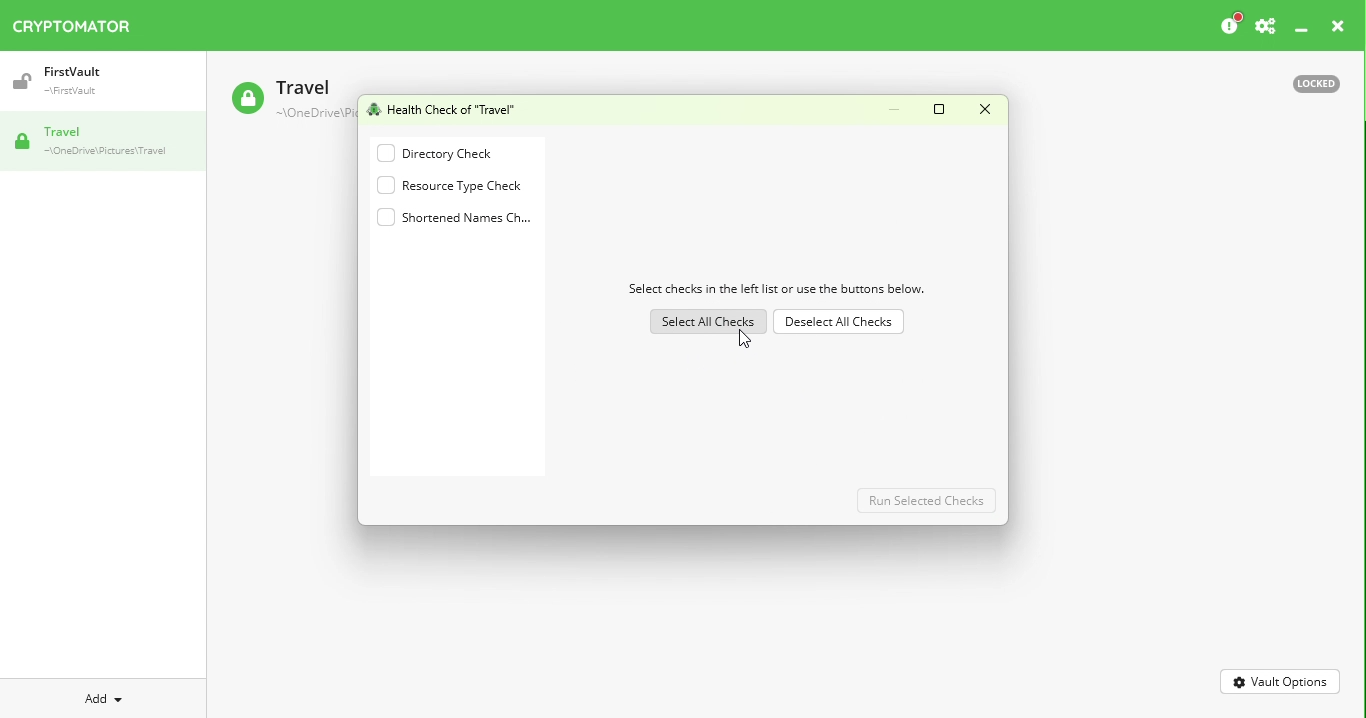 The image size is (1366, 718). Describe the element at coordinates (287, 96) in the screenshot. I see `Travel` at that location.